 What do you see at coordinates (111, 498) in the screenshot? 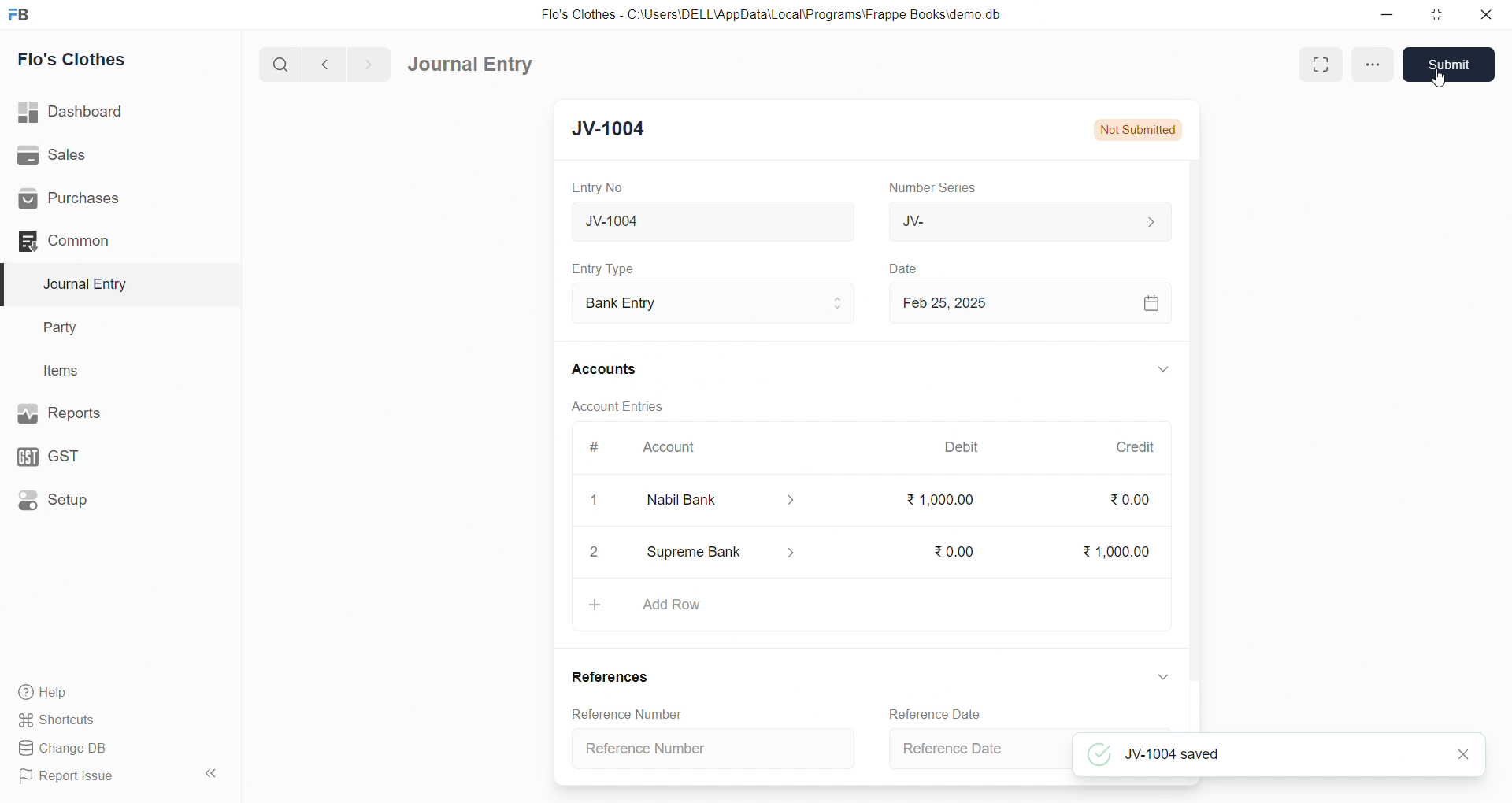
I see `Setup` at bounding box center [111, 498].